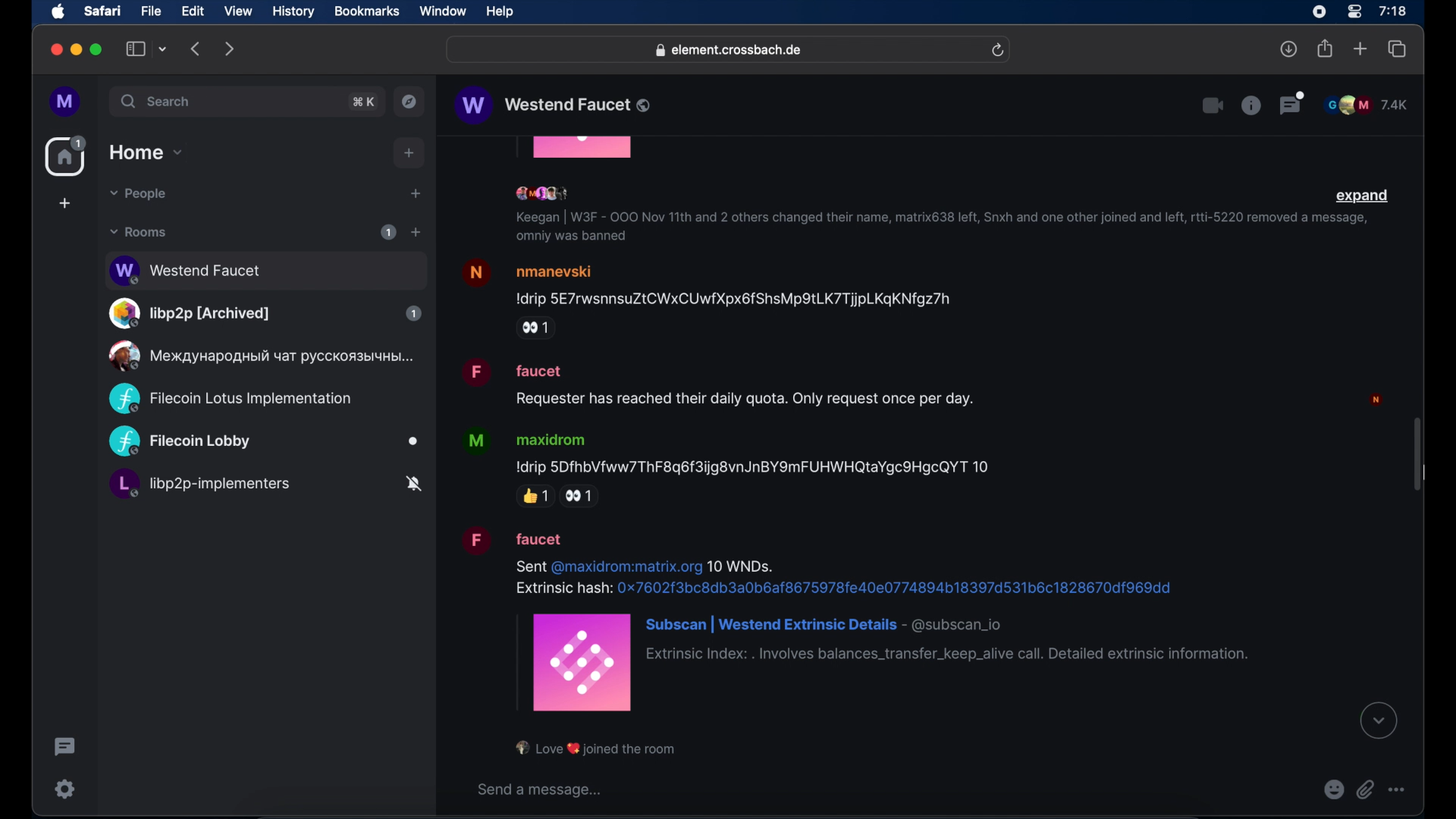 The height and width of the screenshot is (819, 1456). Describe the element at coordinates (583, 149) in the screenshot. I see `obscured icon` at that location.